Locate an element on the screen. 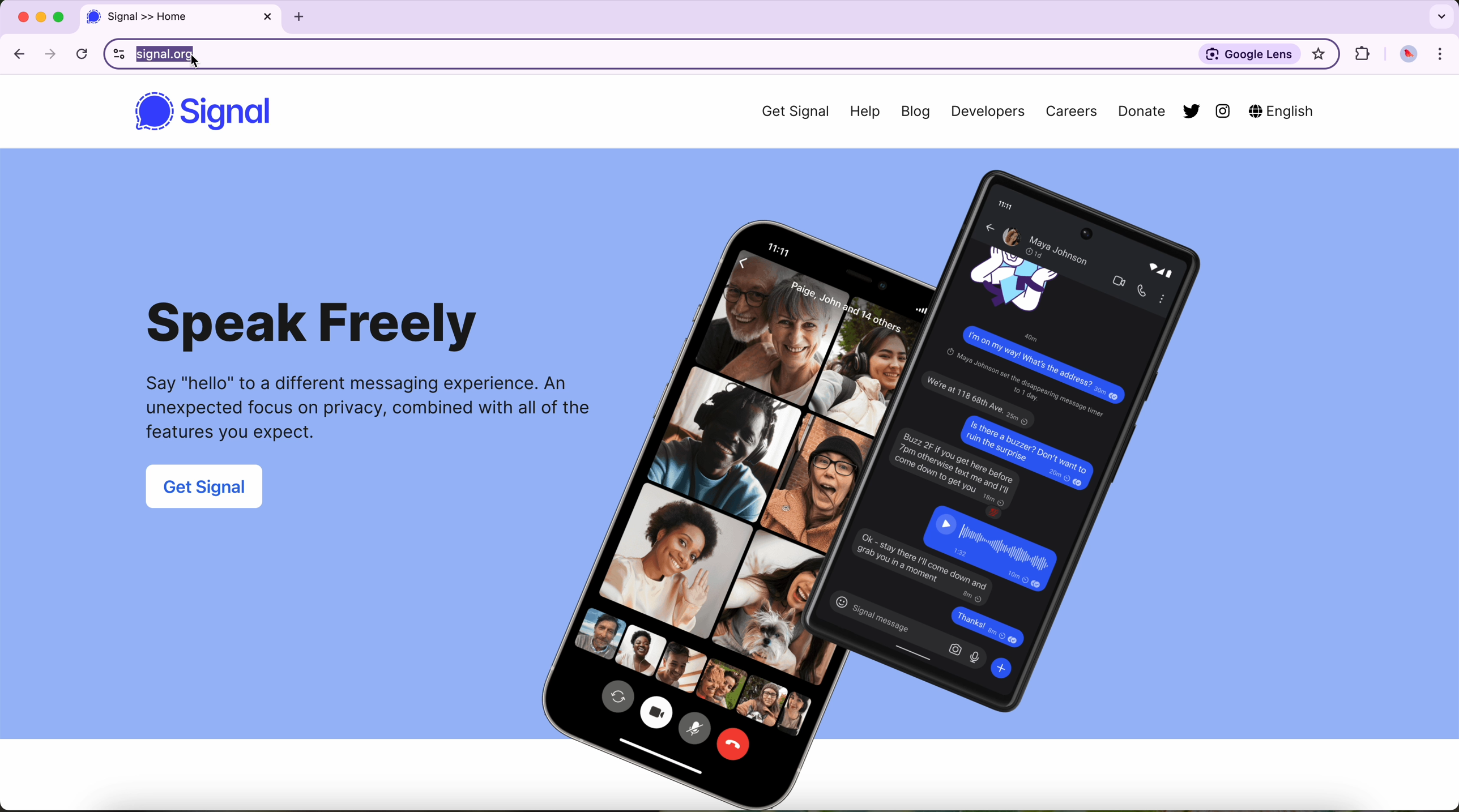  signal logo is located at coordinates (152, 113).